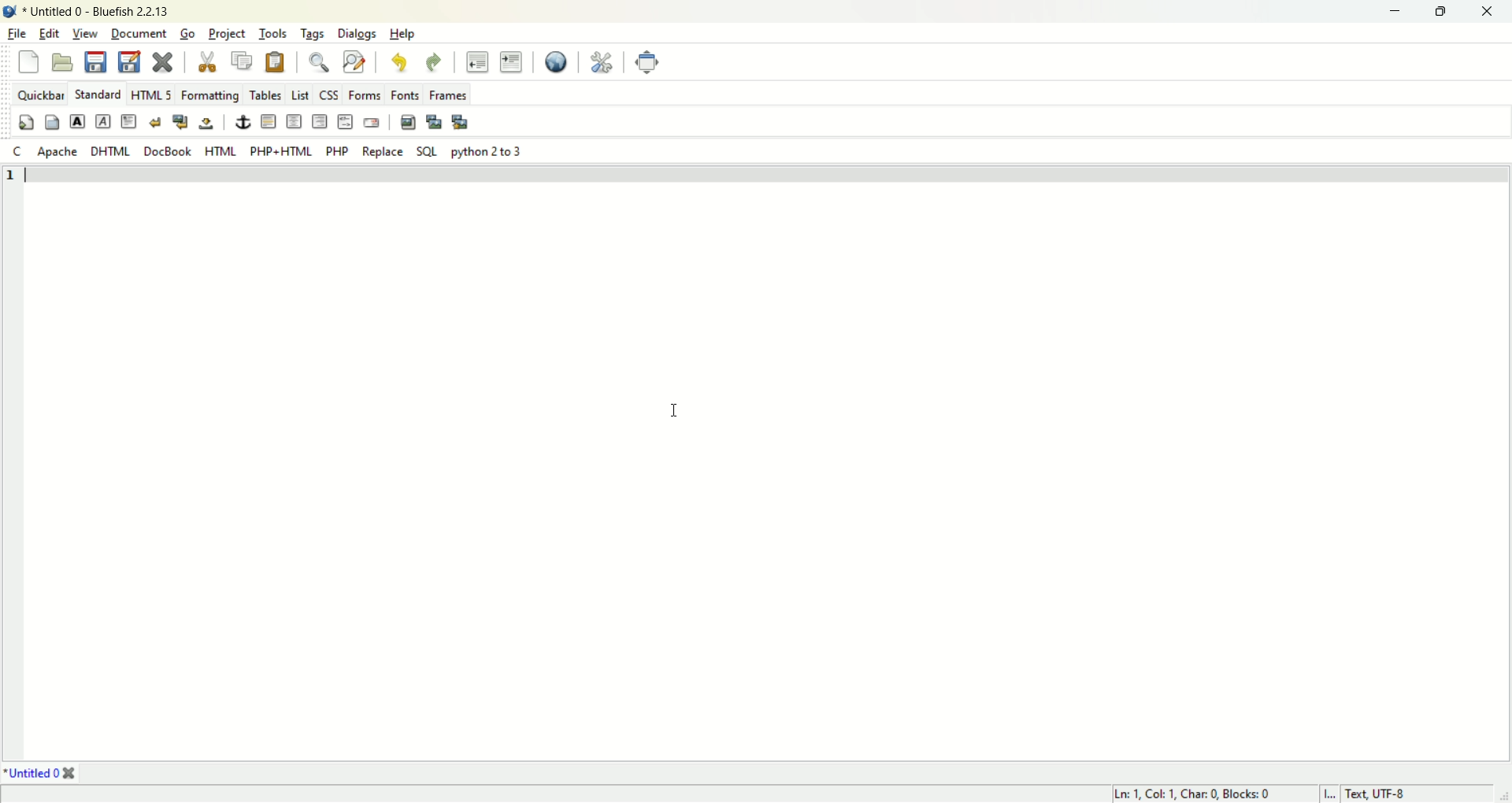  What do you see at coordinates (52, 123) in the screenshot?
I see `body` at bounding box center [52, 123].